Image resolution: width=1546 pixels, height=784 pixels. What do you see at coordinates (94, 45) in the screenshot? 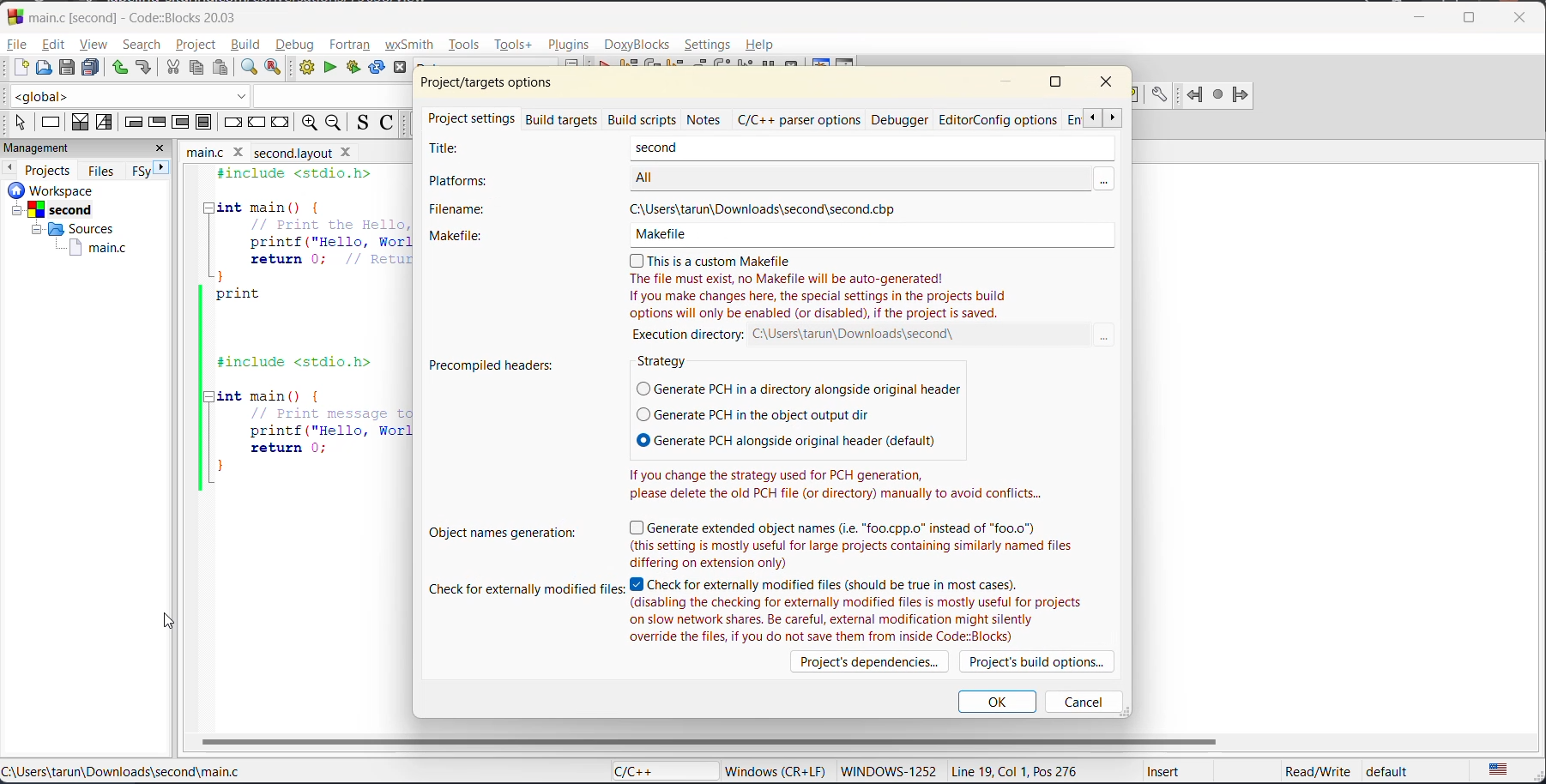
I see `view` at bounding box center [94, 45].